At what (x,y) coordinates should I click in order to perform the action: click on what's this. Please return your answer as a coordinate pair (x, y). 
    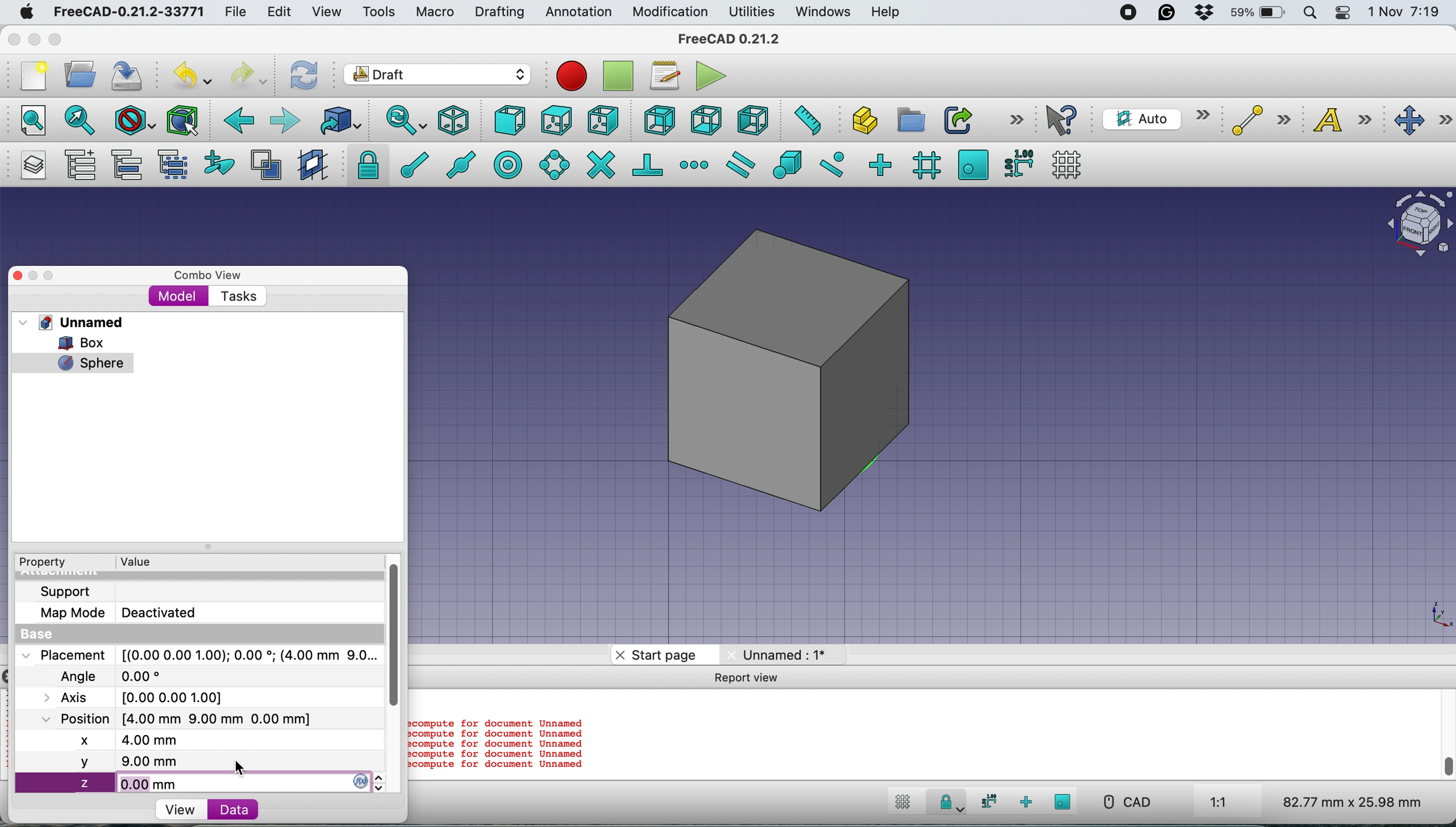
    Looking at the image, I should click on (1063, 120).